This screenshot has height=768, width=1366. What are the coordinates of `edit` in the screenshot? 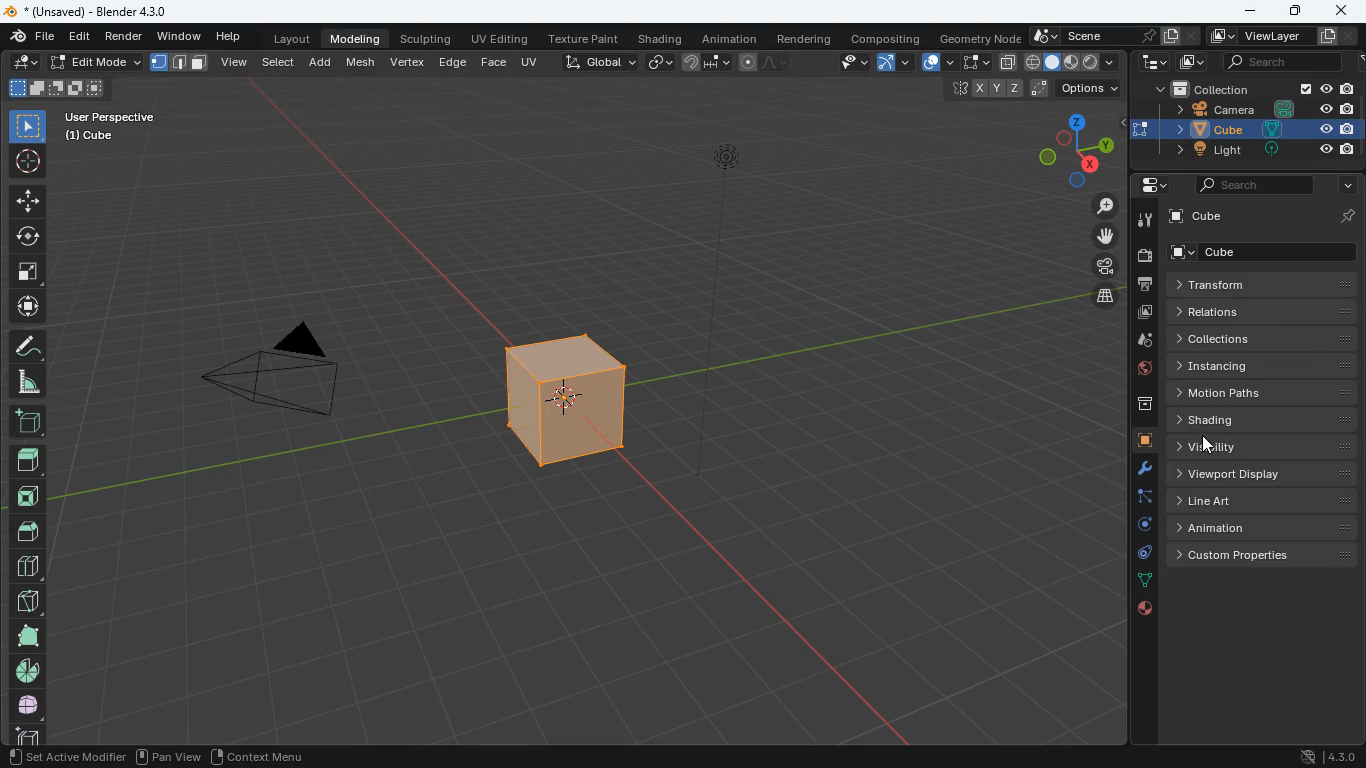 It's located at (79, 37).